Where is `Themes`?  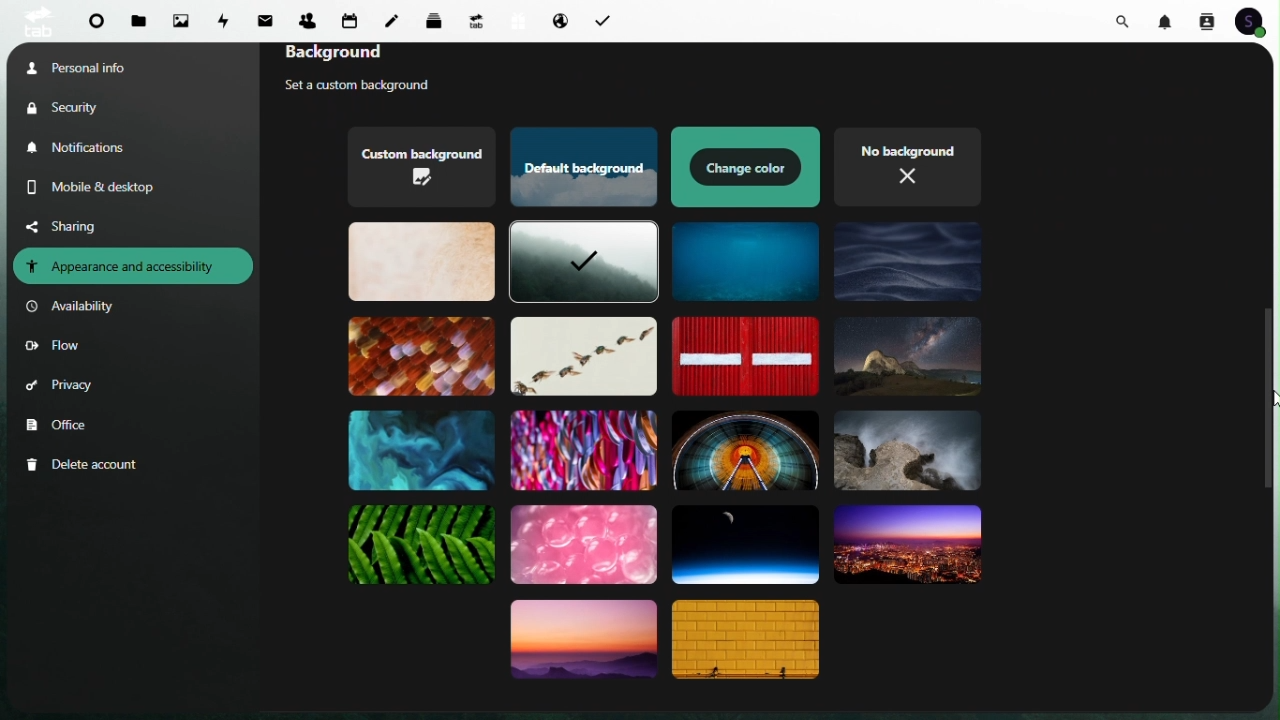 Themes is located at coordinates (907, 358).